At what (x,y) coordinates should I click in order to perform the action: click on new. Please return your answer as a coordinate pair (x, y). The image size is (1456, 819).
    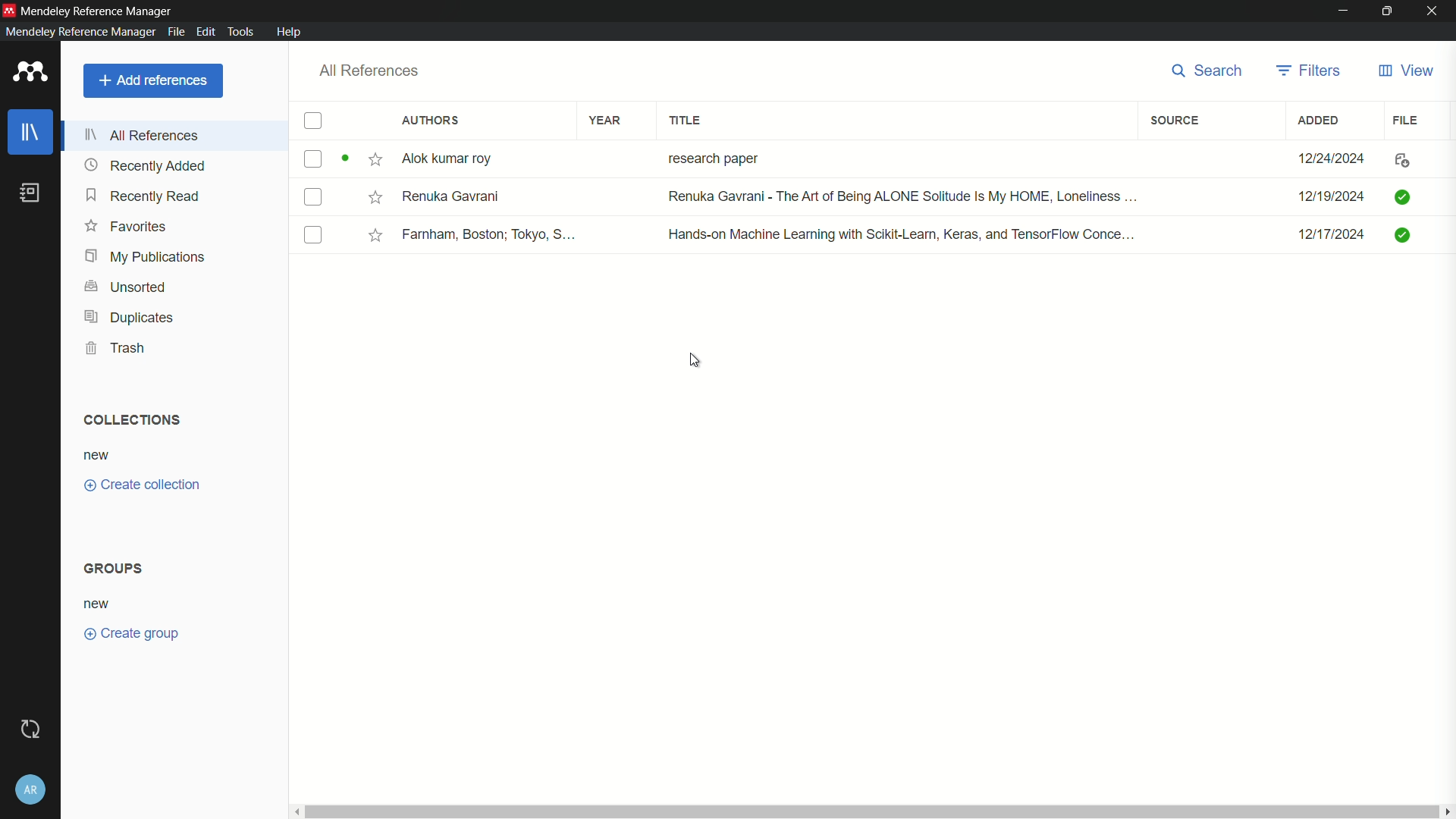
    Looking at the image, I should click on (96, 457).